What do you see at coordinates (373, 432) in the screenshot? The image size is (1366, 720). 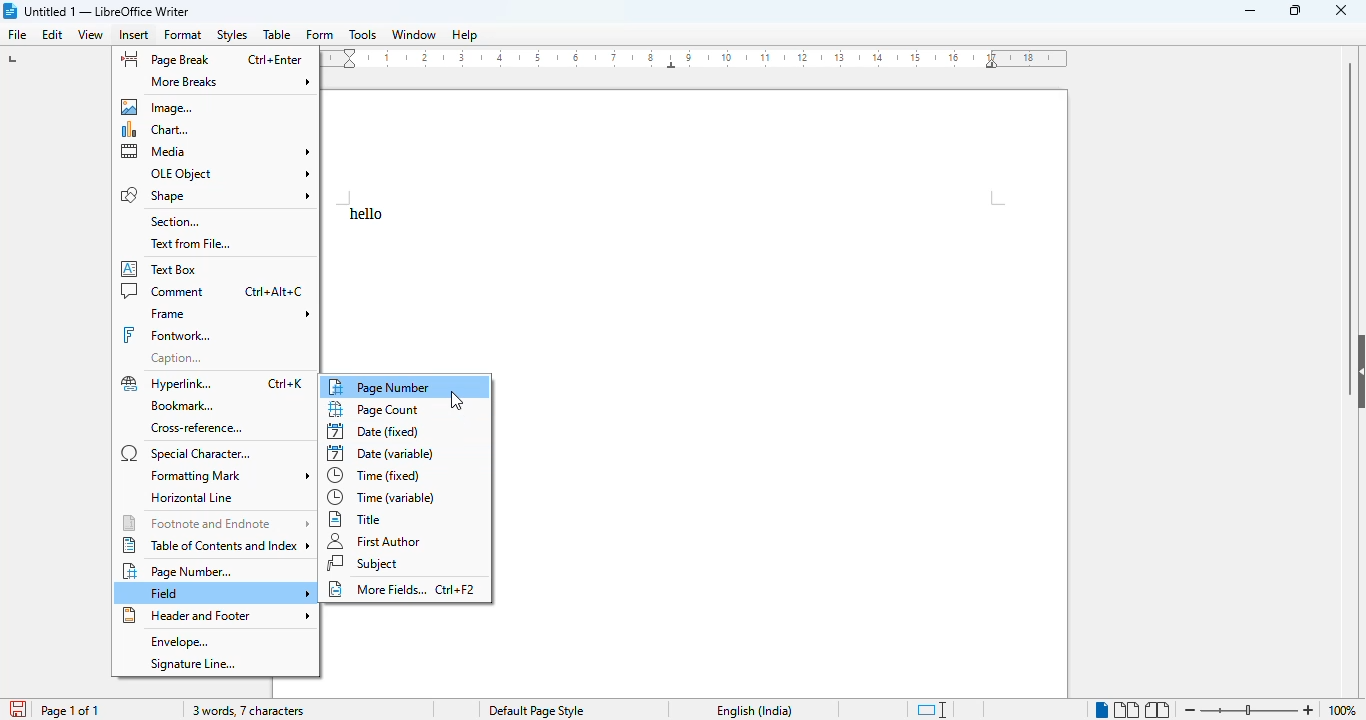 I see `date (fixed)` at bounding box center [373, 432].